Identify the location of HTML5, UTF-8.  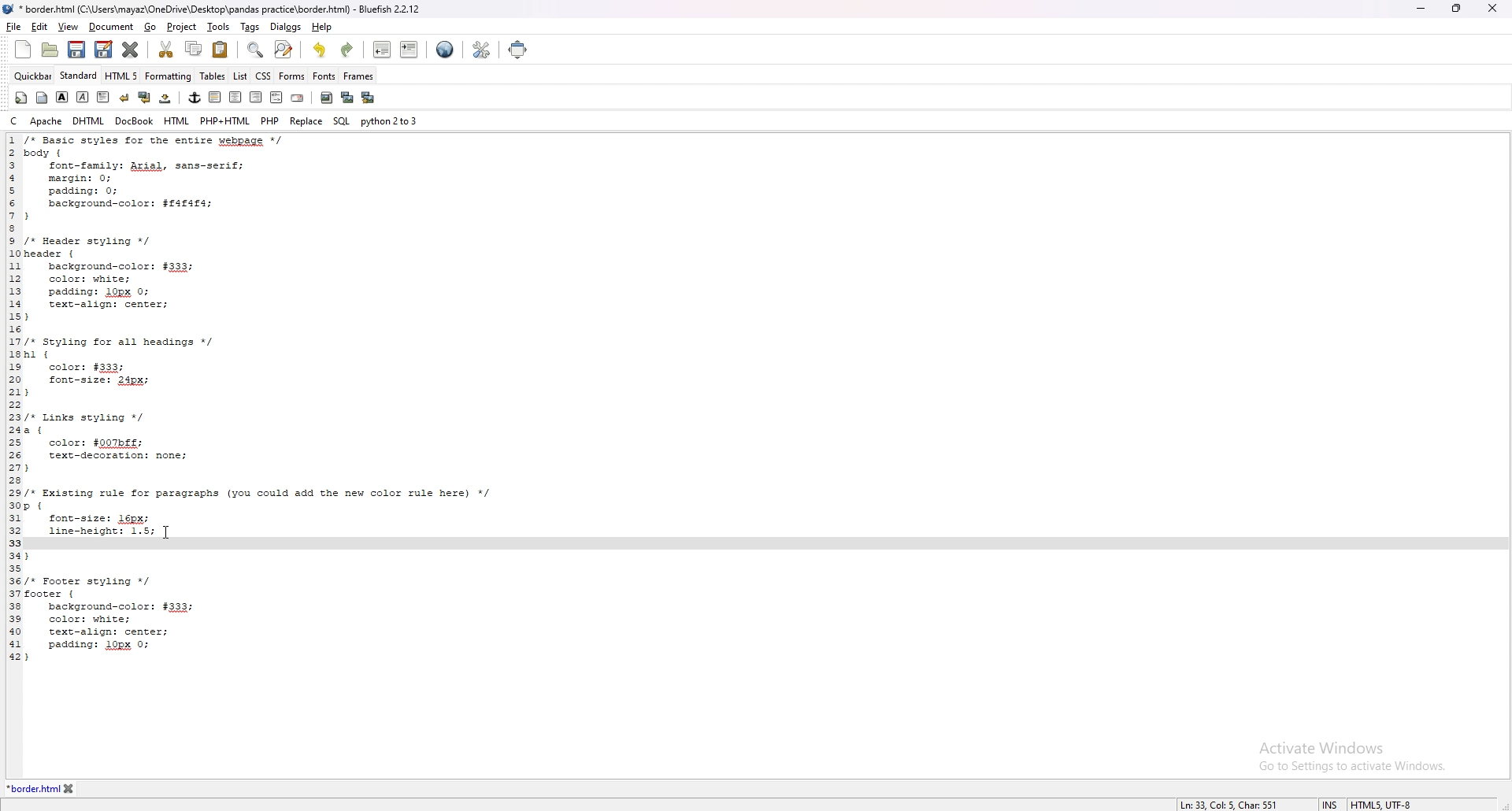
(1397, 801).